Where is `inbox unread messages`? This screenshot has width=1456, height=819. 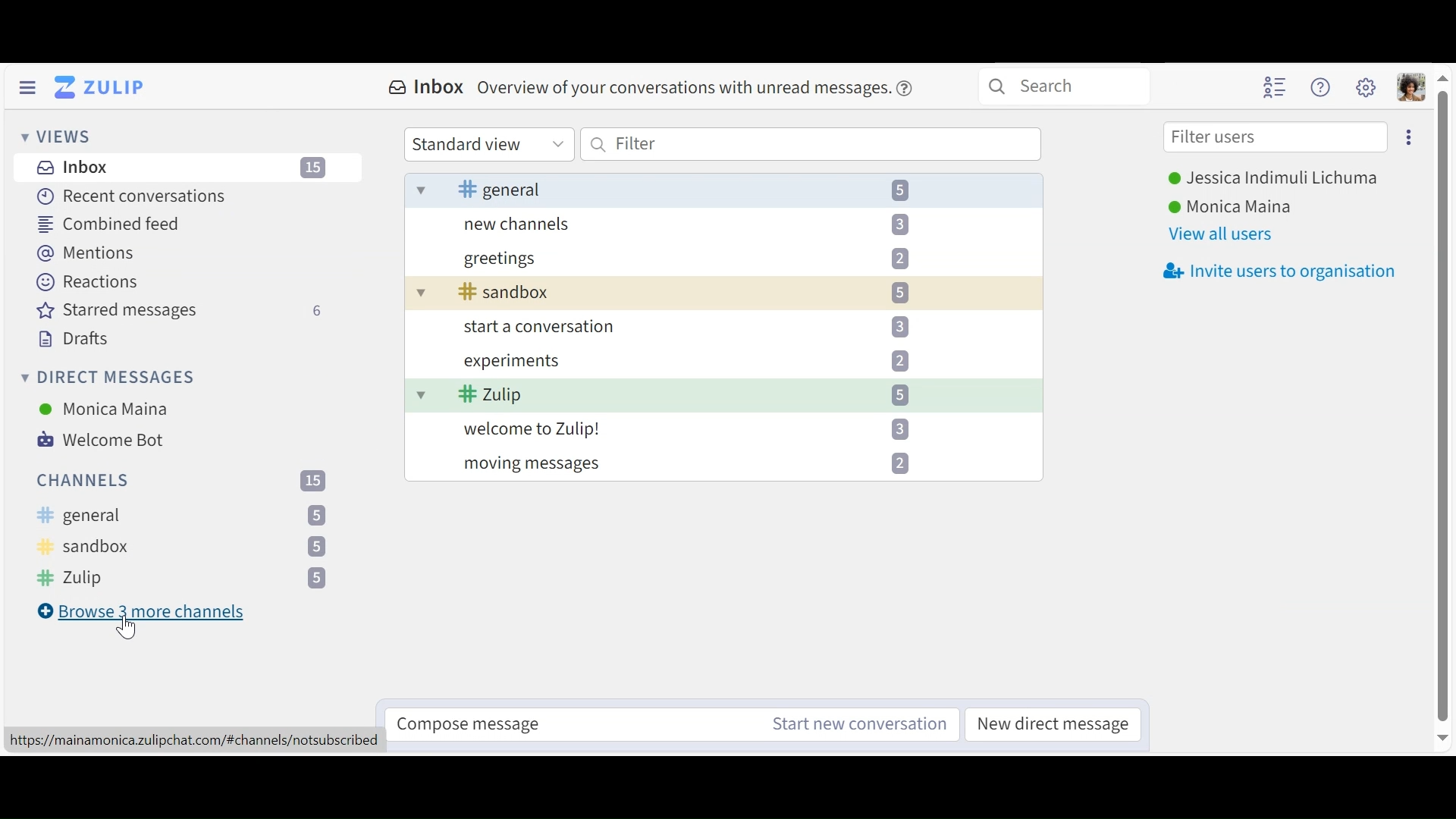
inbox unread messages is located at coordinates (723, 328).